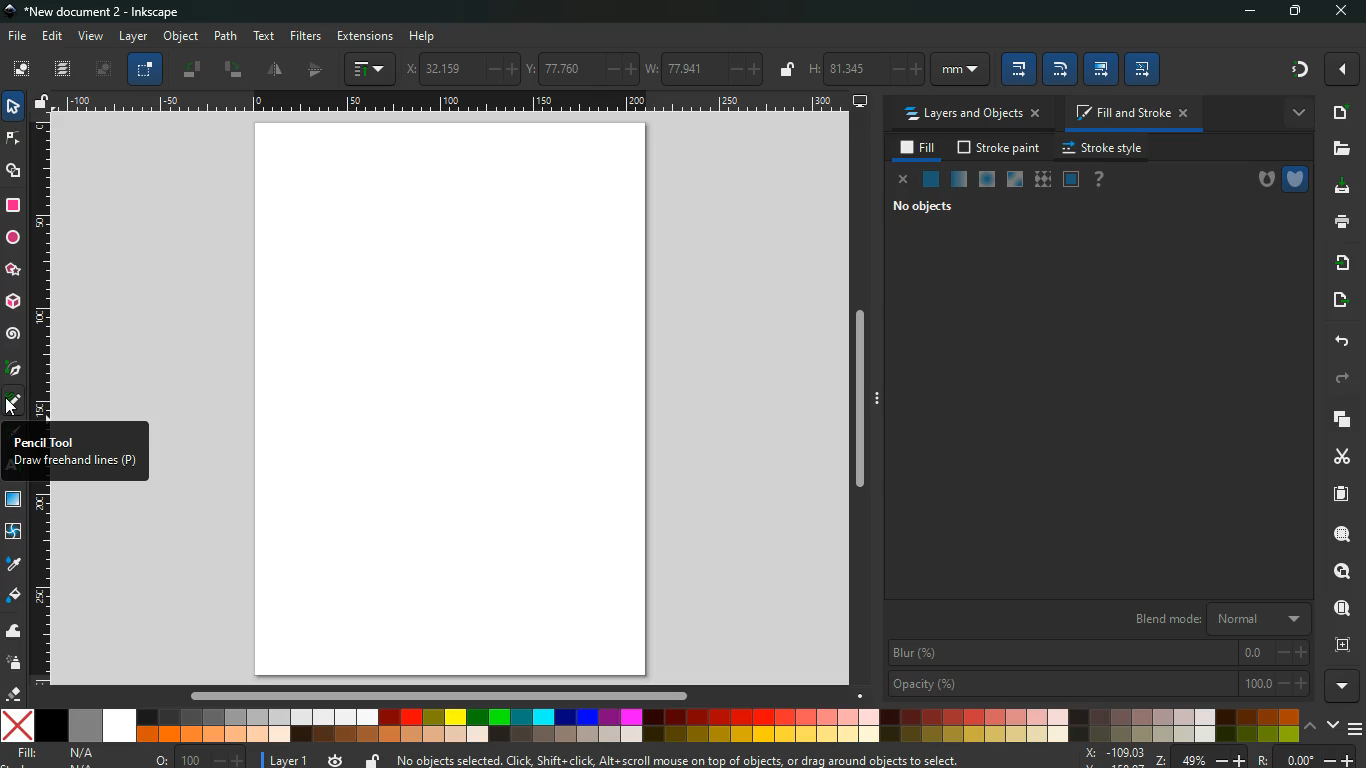 The image size is (1366, 768). What do you see at coordinates (1019, 71) in the screenshot?
I see `edit` at bounding box center [1019, 71].